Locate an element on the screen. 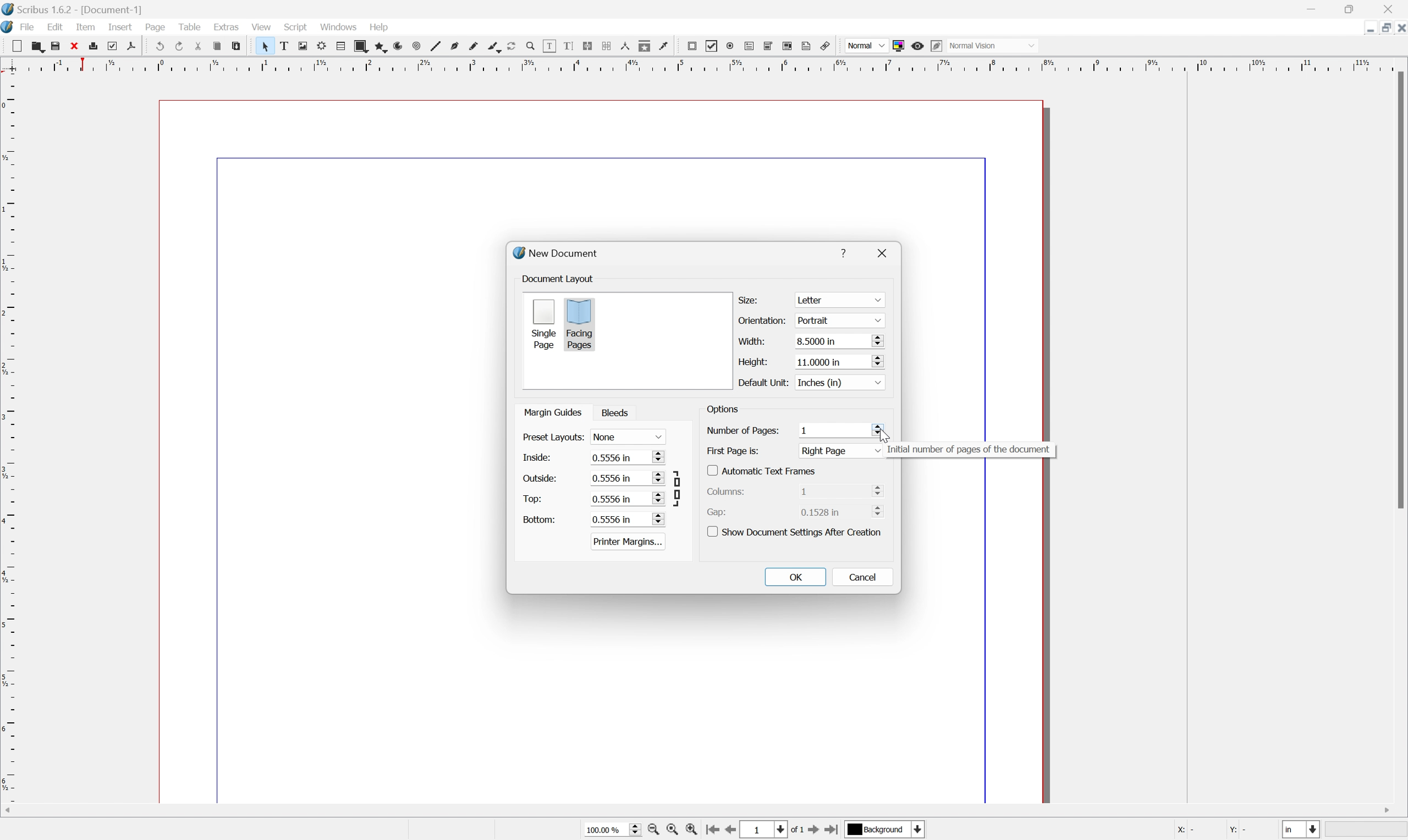 This screenshot has width=1408, height=840. Line is located at coordinates (433, 46).